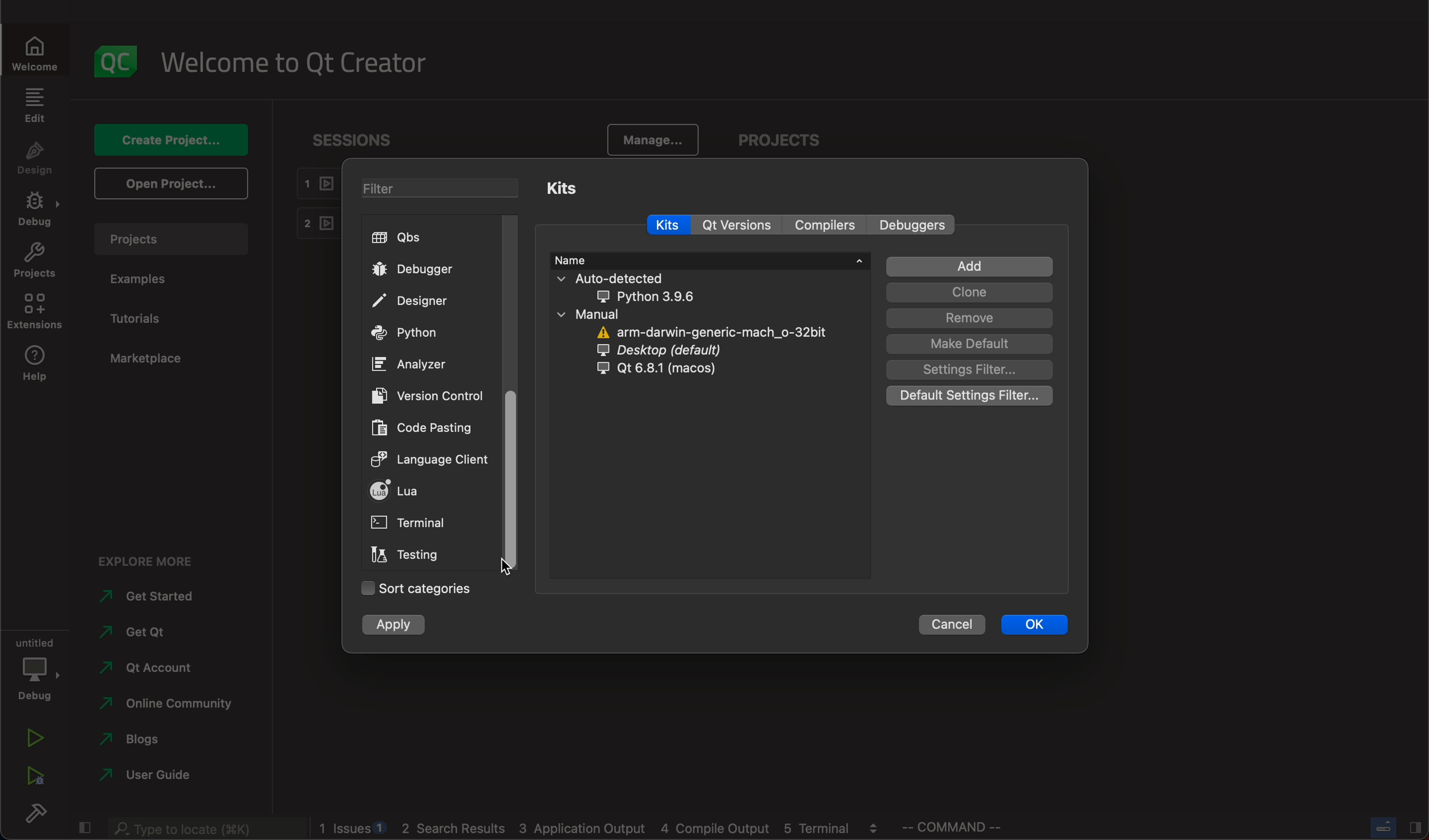  I want to click on scroll bar, so click(506, 478).